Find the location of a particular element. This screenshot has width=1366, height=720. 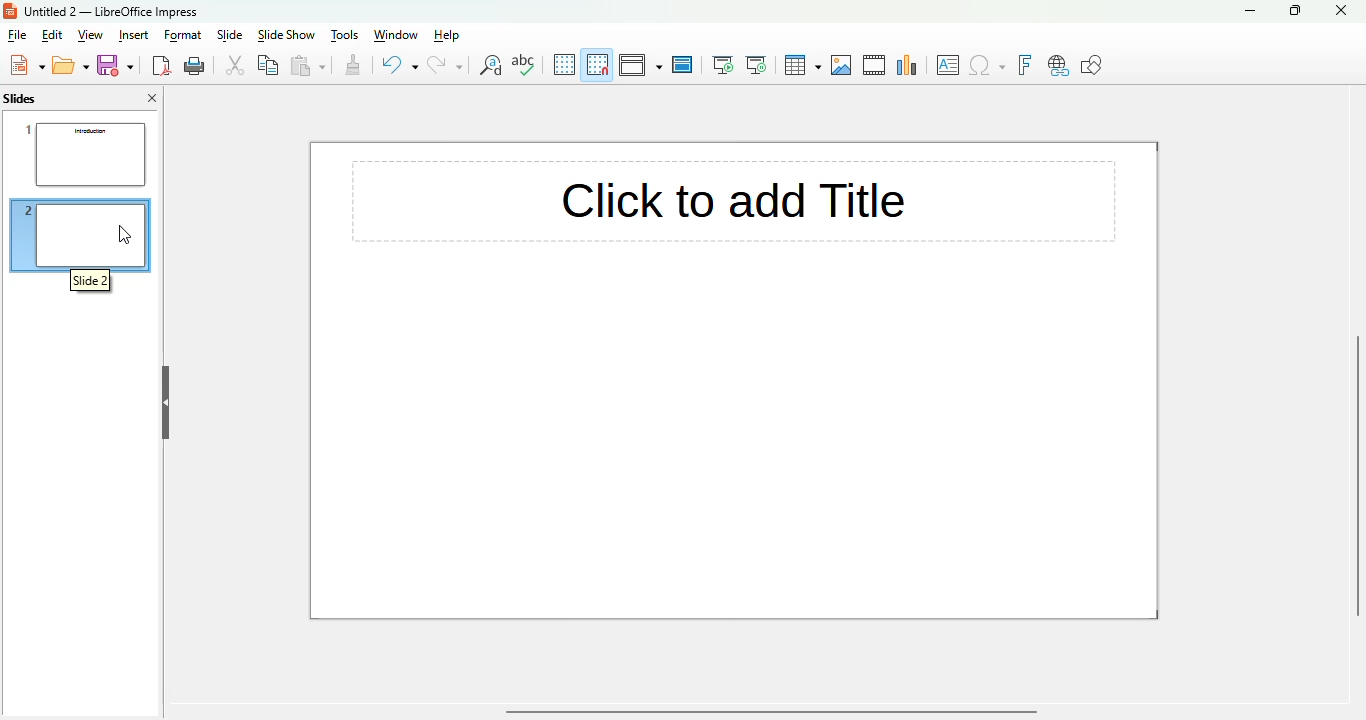

file is located at coordinates (16, 35).